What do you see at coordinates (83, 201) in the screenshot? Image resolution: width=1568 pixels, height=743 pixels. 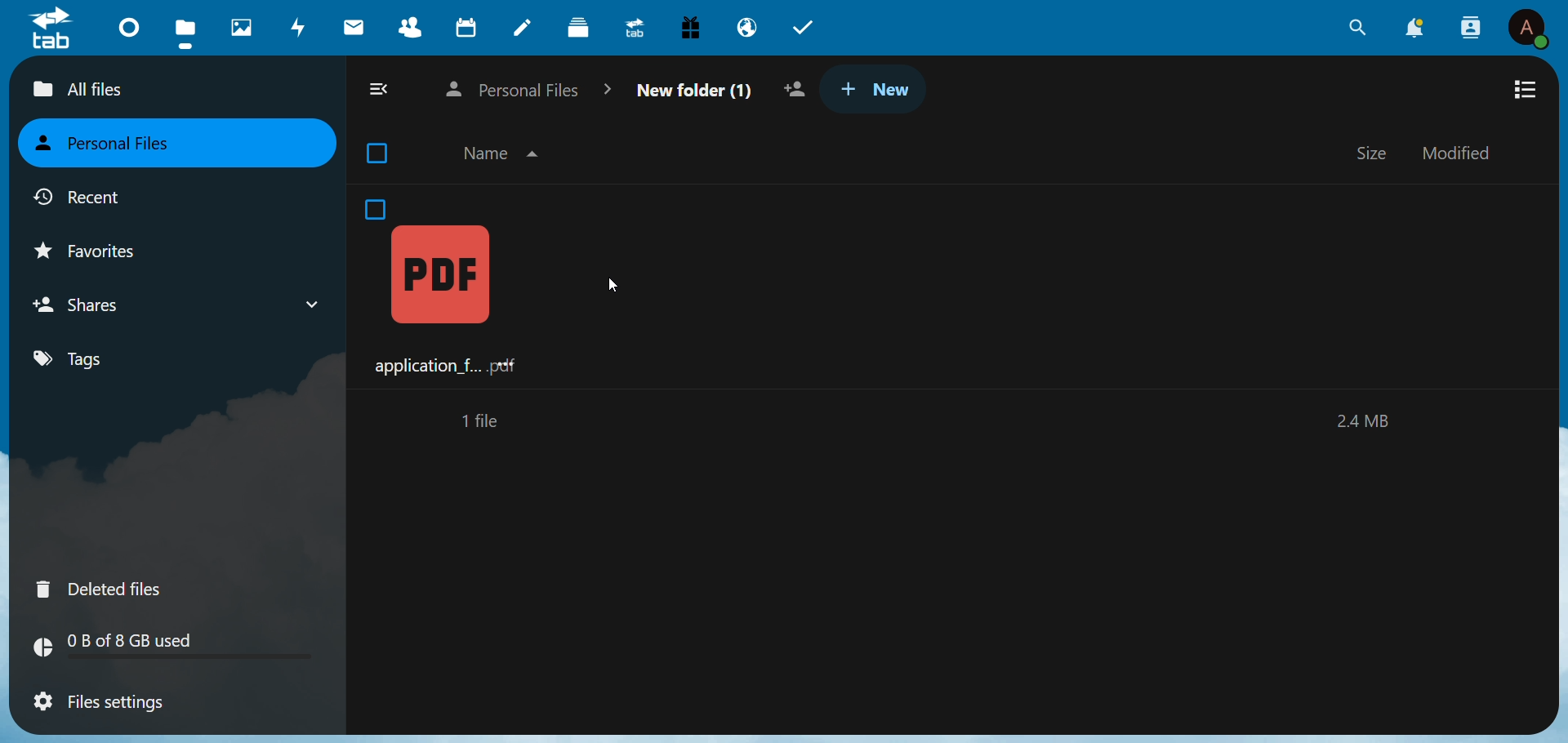 I see `recent` at bounding box center [83, 201].